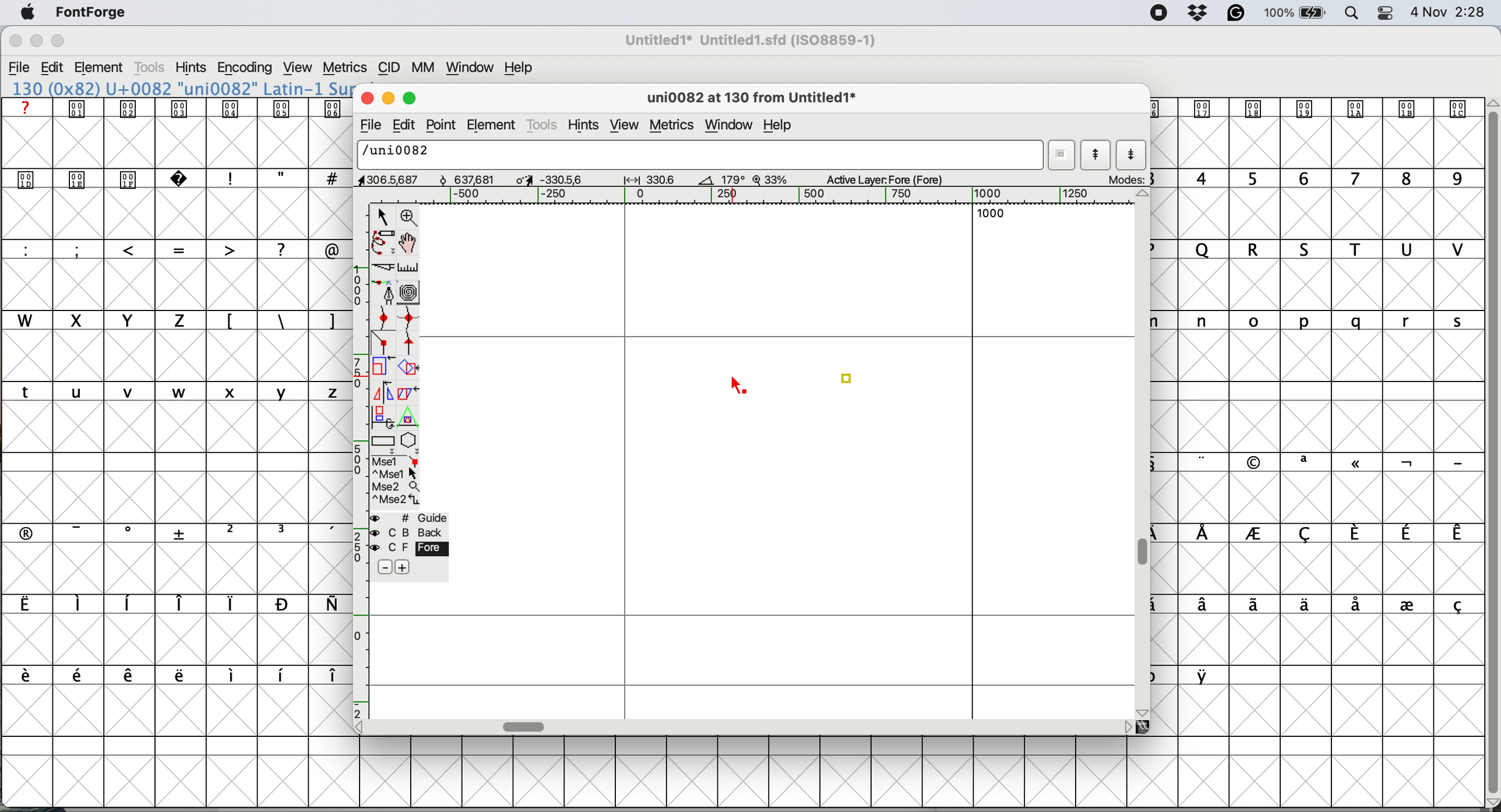  I want to click on window, so click(472, 68).